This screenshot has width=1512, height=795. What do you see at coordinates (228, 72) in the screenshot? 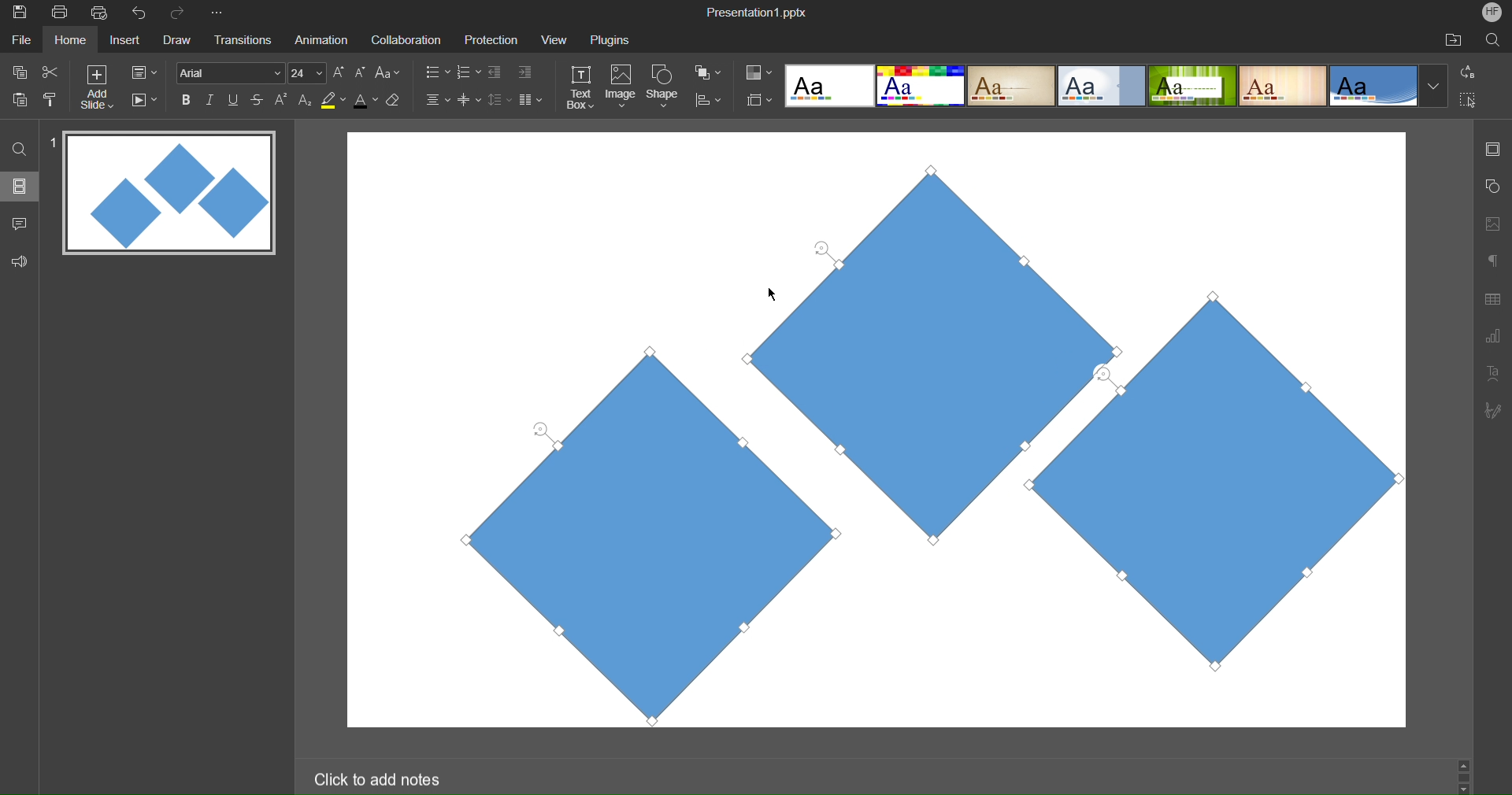
I see `Font` at bounding box center [228, 72].